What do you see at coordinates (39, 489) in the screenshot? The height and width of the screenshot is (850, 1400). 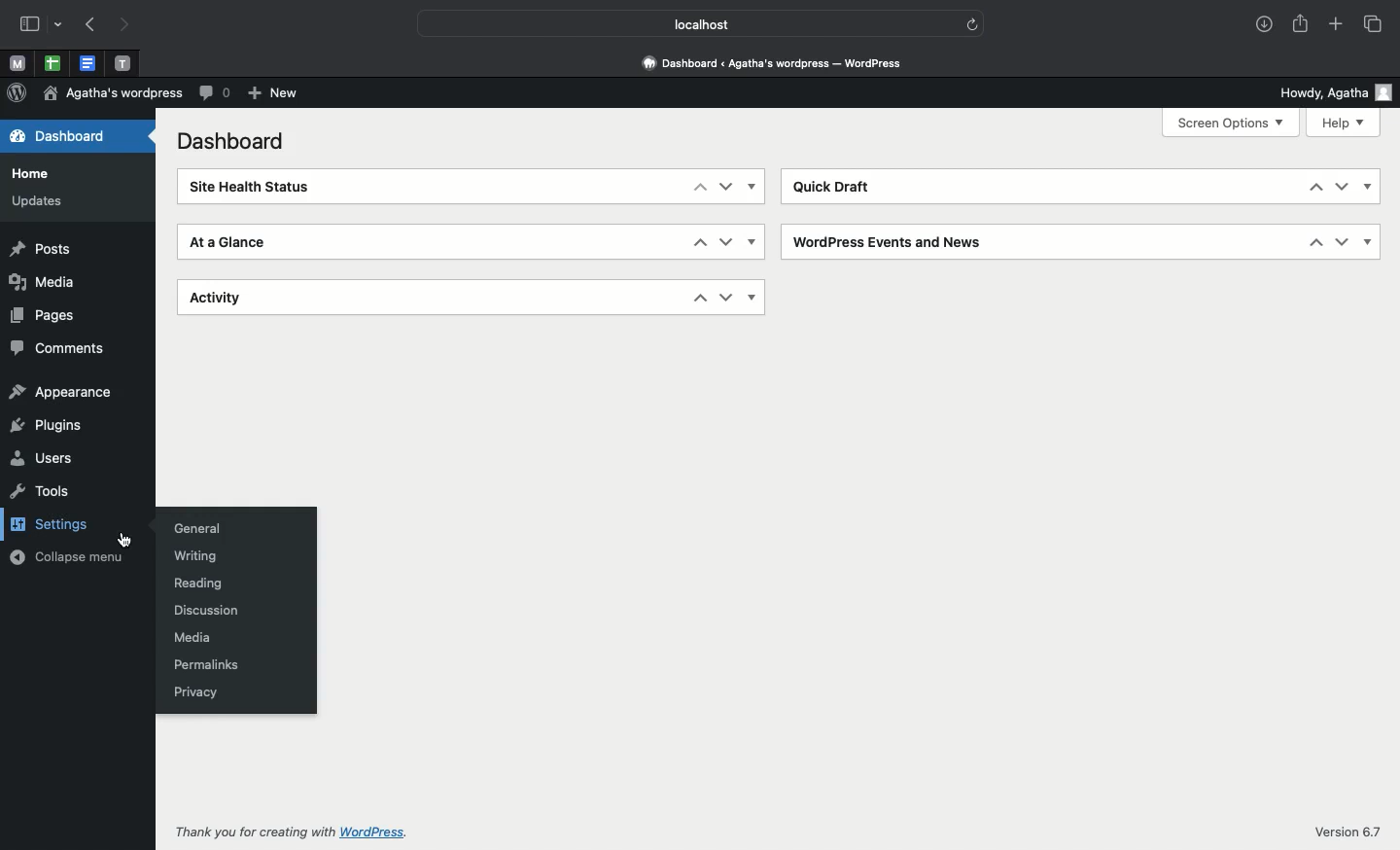 I see `Tools` at bounding box center [39, 489].